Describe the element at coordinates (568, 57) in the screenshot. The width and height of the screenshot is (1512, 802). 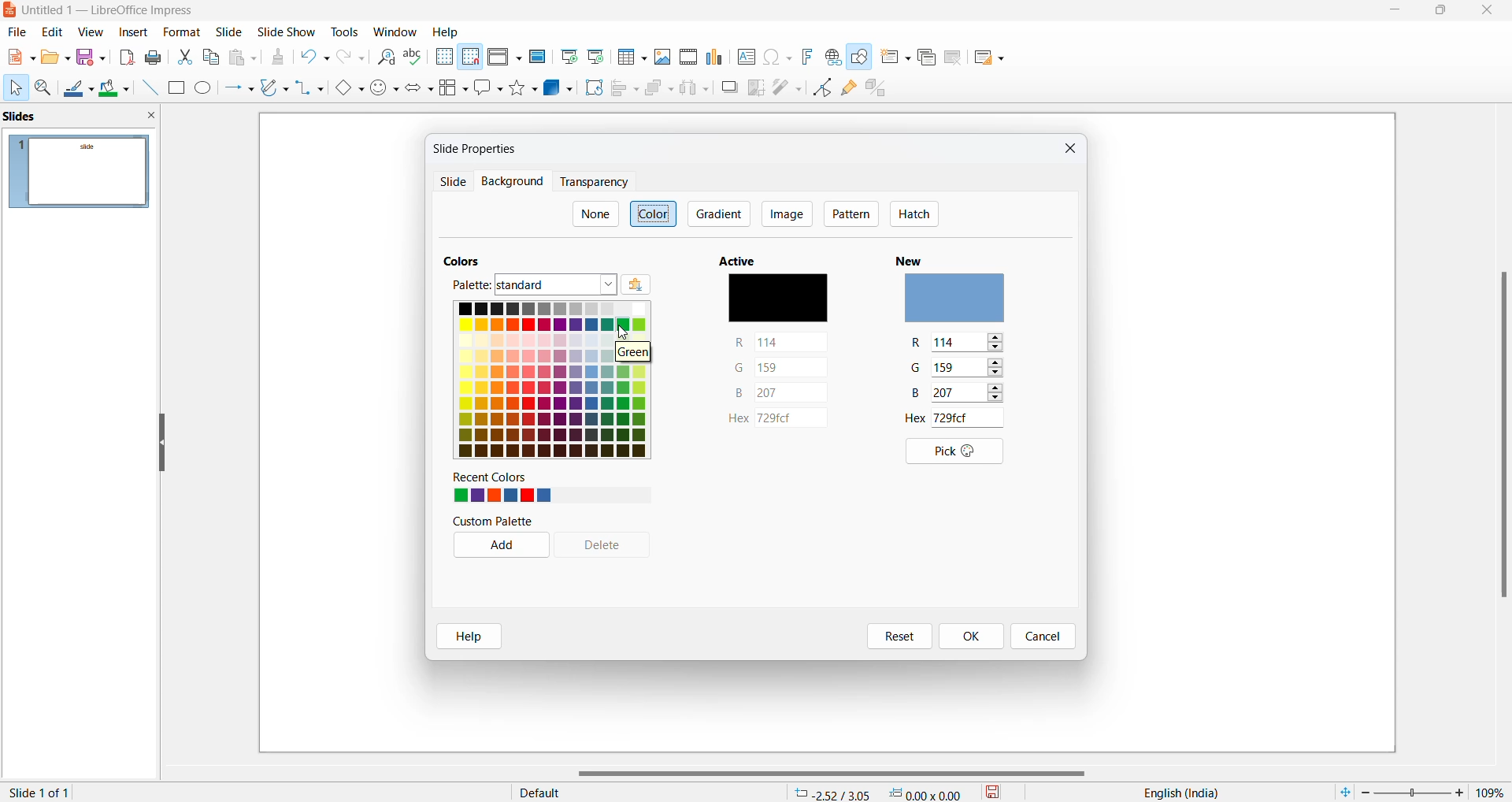
I see `start from first slide` at that location.